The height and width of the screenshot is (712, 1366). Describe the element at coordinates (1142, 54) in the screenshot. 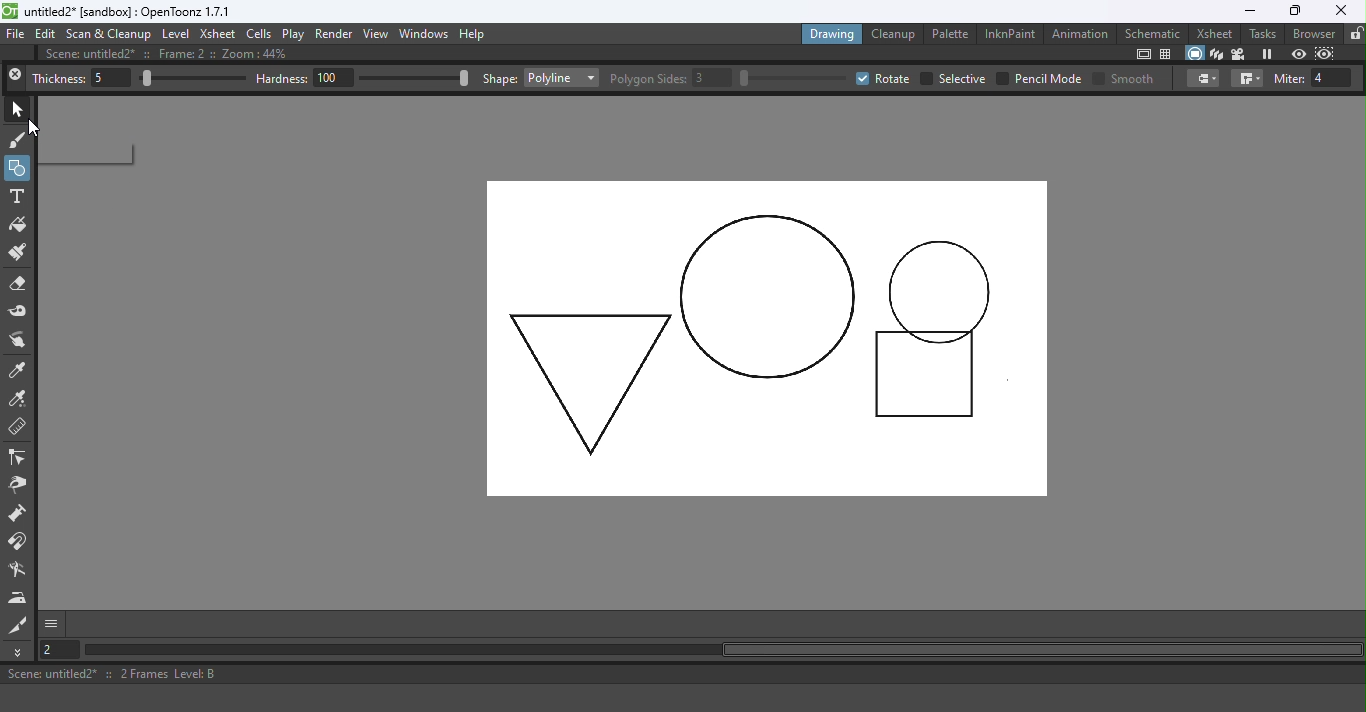

I see `Safe area` at that location.